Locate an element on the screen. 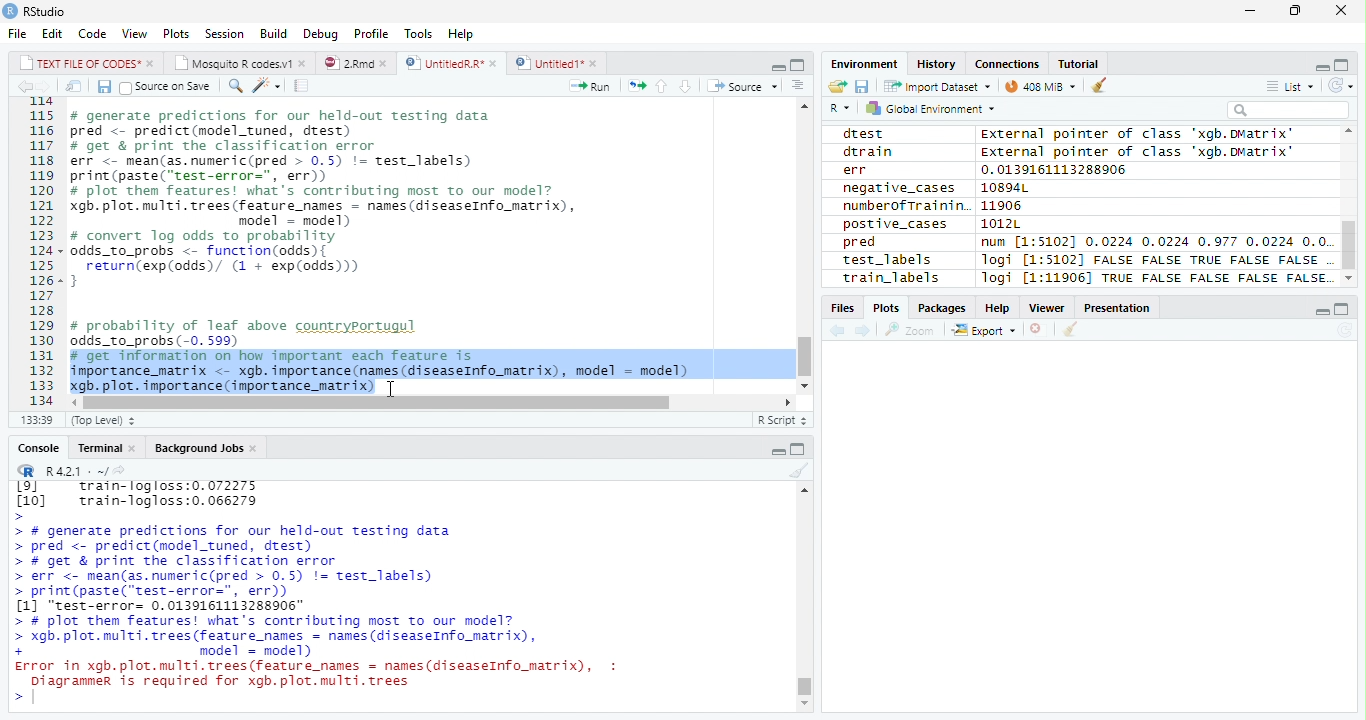  TEXT FILE OF CODES"  is located at coordinates (86, 63).